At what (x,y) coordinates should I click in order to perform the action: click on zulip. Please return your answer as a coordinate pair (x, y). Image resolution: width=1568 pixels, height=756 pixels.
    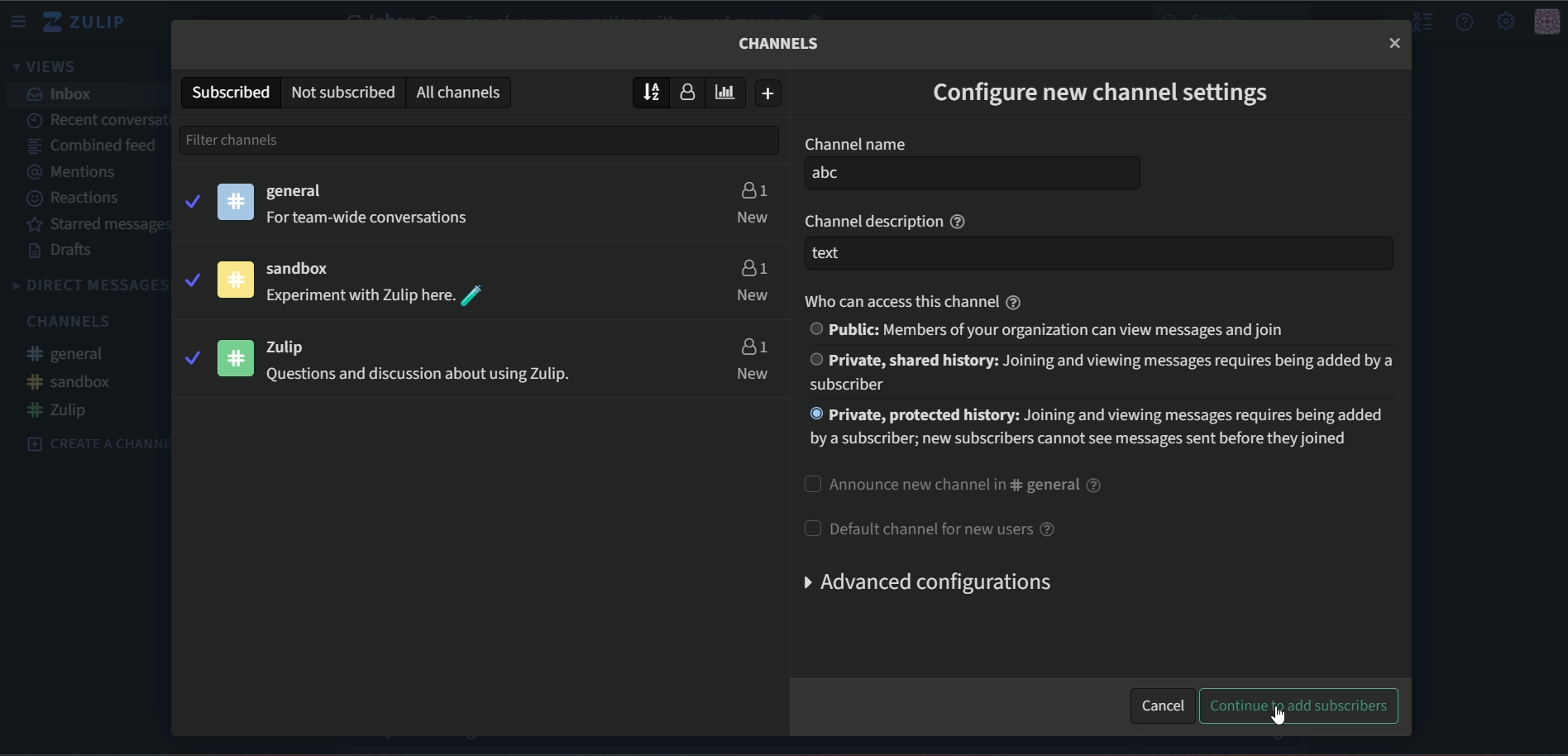
    Looking at the image, I should click on (296, 347).